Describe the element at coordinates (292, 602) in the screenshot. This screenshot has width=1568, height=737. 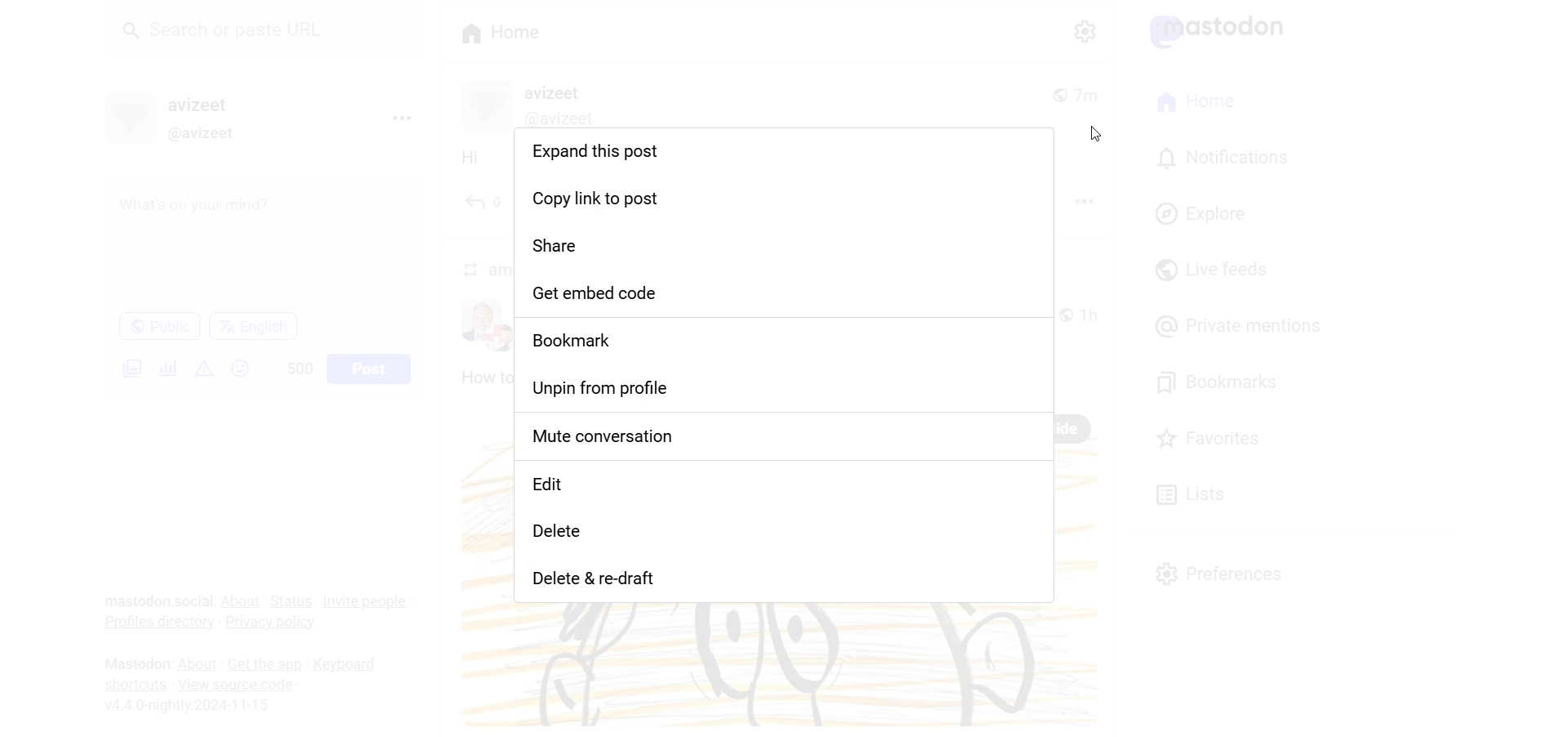
I see `Status` at that location.